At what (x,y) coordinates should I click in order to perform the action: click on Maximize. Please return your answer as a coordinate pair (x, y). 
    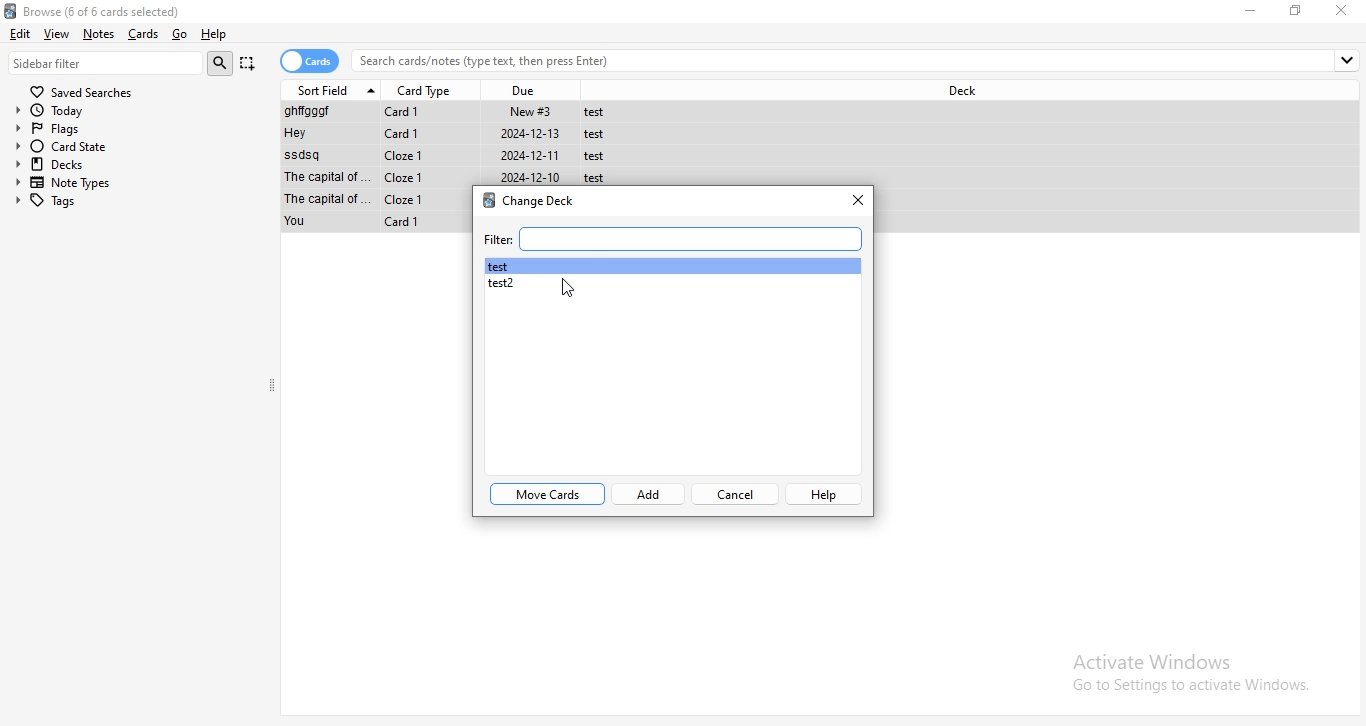
    Looking at the image, I should click on (1299, 11).